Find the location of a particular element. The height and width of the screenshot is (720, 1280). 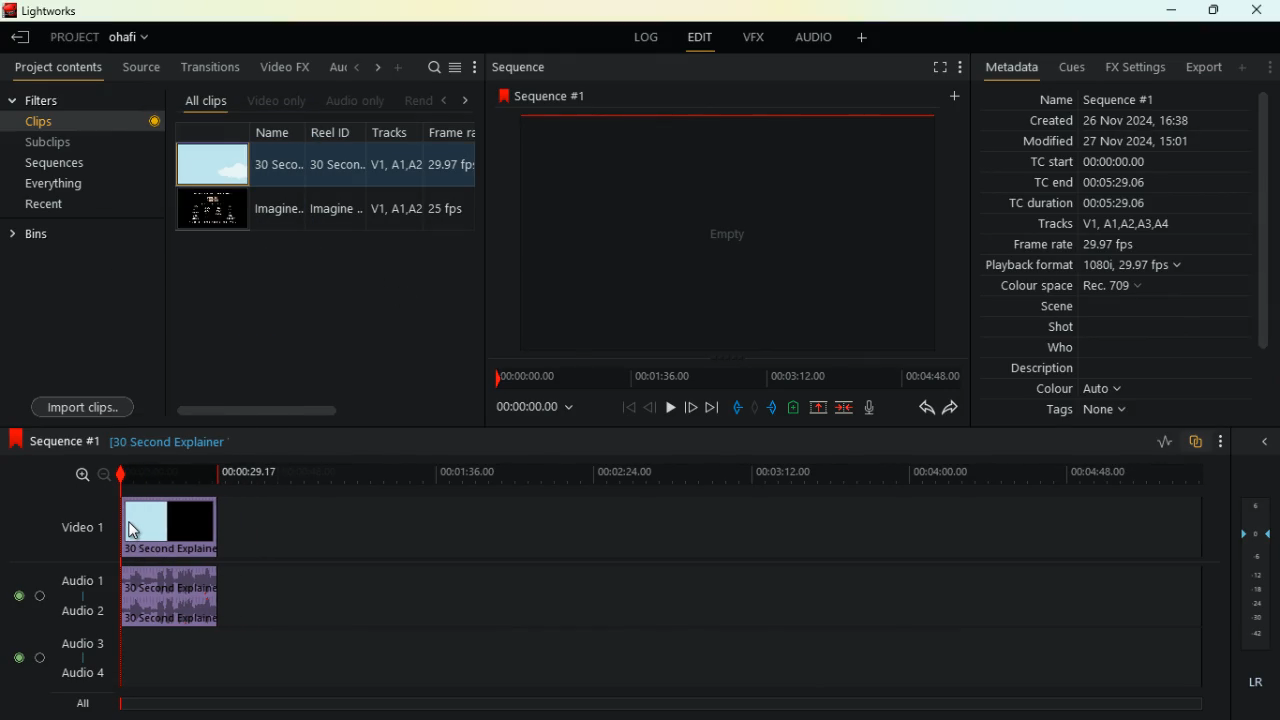

up is located at coordinates (815, 408).